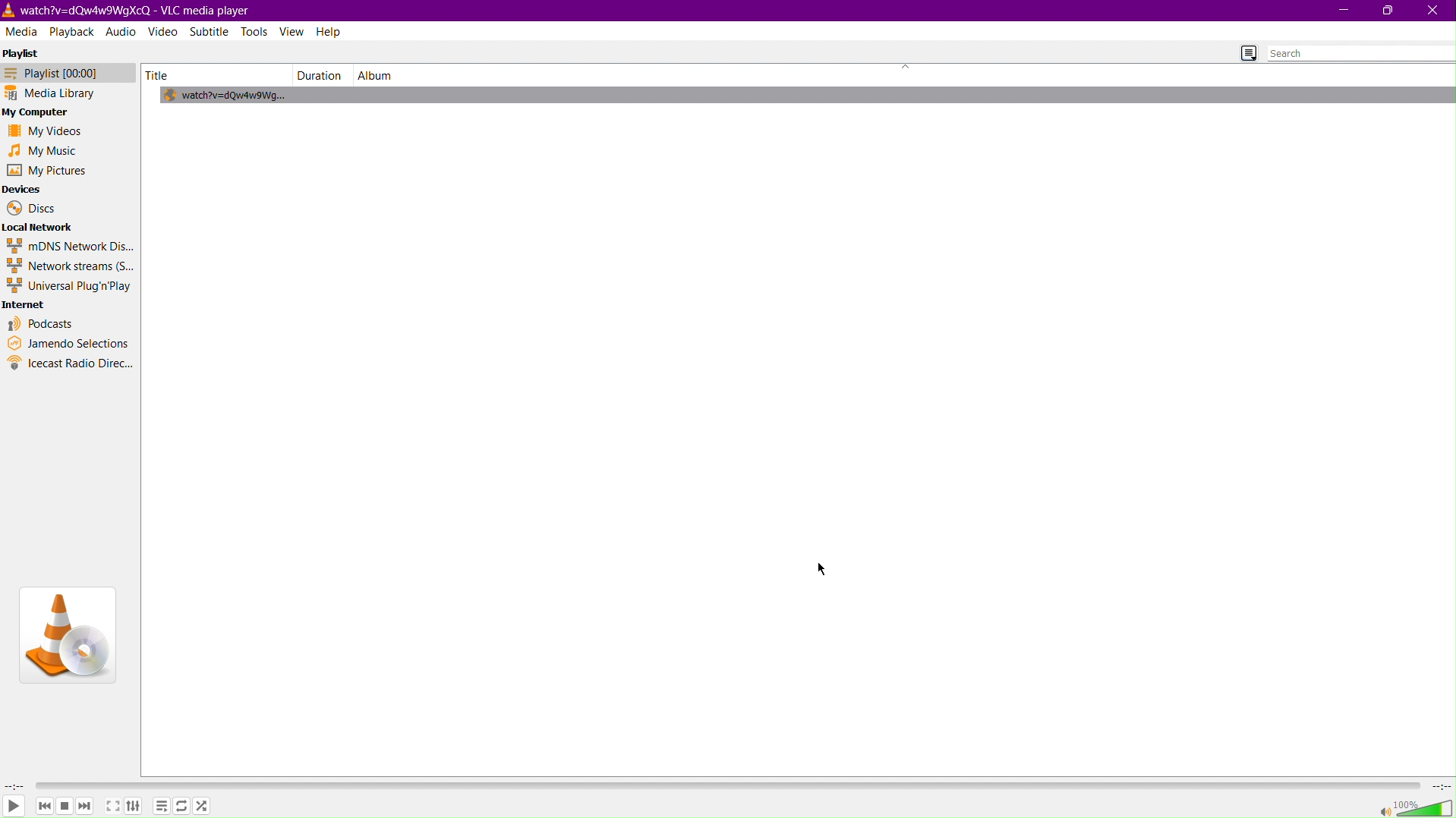  What do you see at coordinates (68, 637) in the screenshot?
I see `VLC Logo` at bounding box center [68, 637].